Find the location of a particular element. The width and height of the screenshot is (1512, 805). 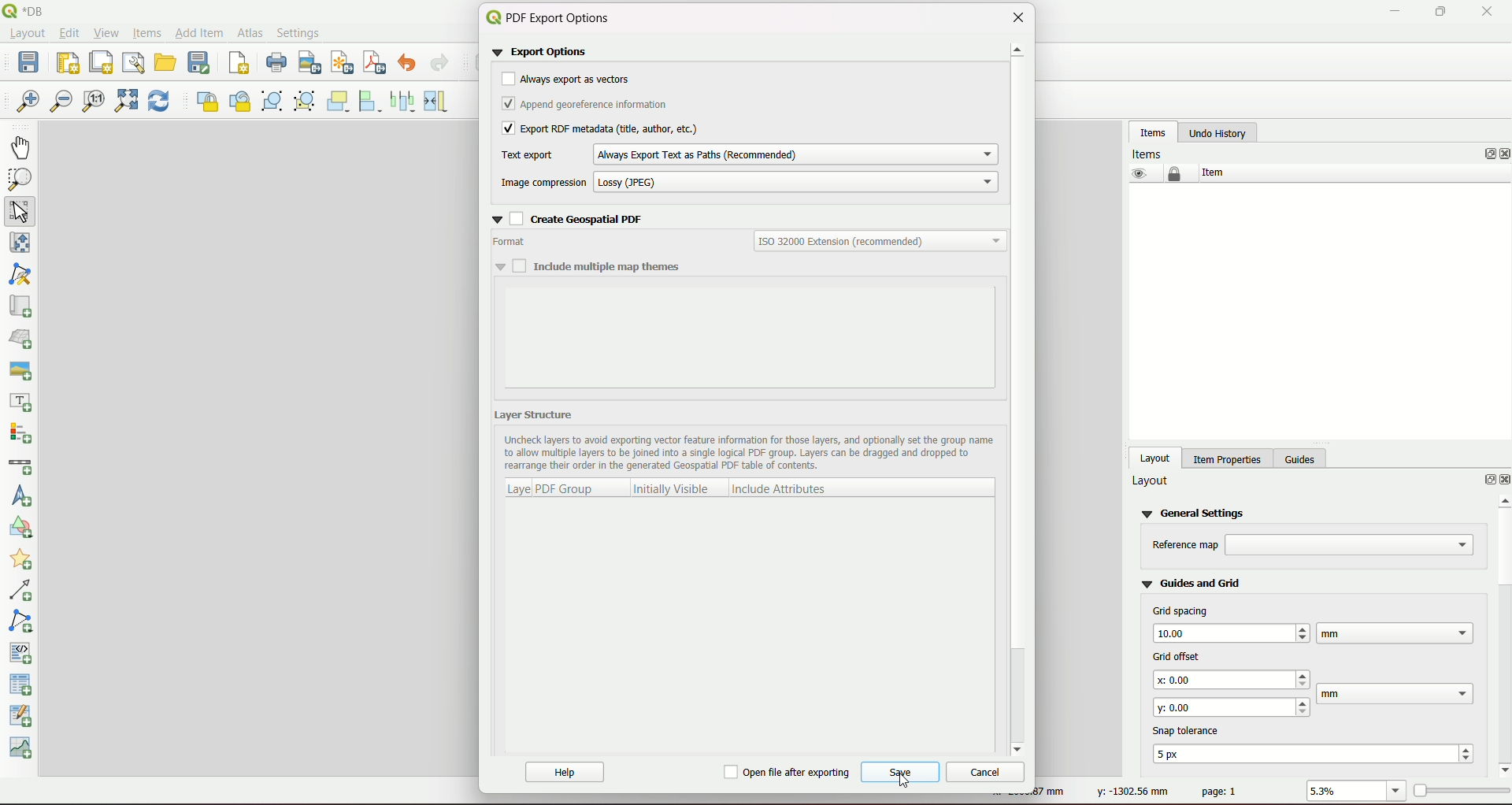

close is located at coordinates (1503, 154).